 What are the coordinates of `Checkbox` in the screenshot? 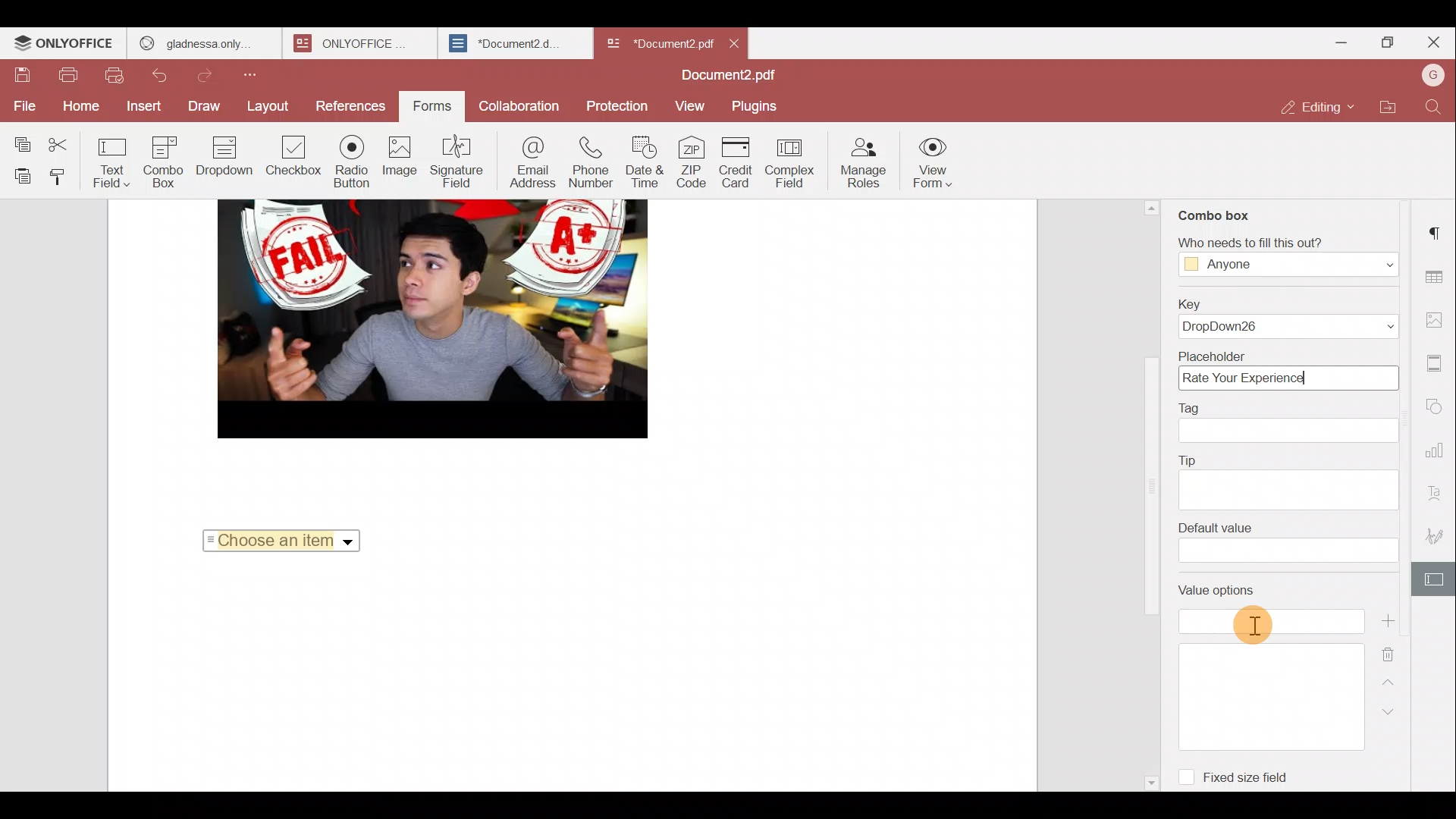 It's located at (290, 158).